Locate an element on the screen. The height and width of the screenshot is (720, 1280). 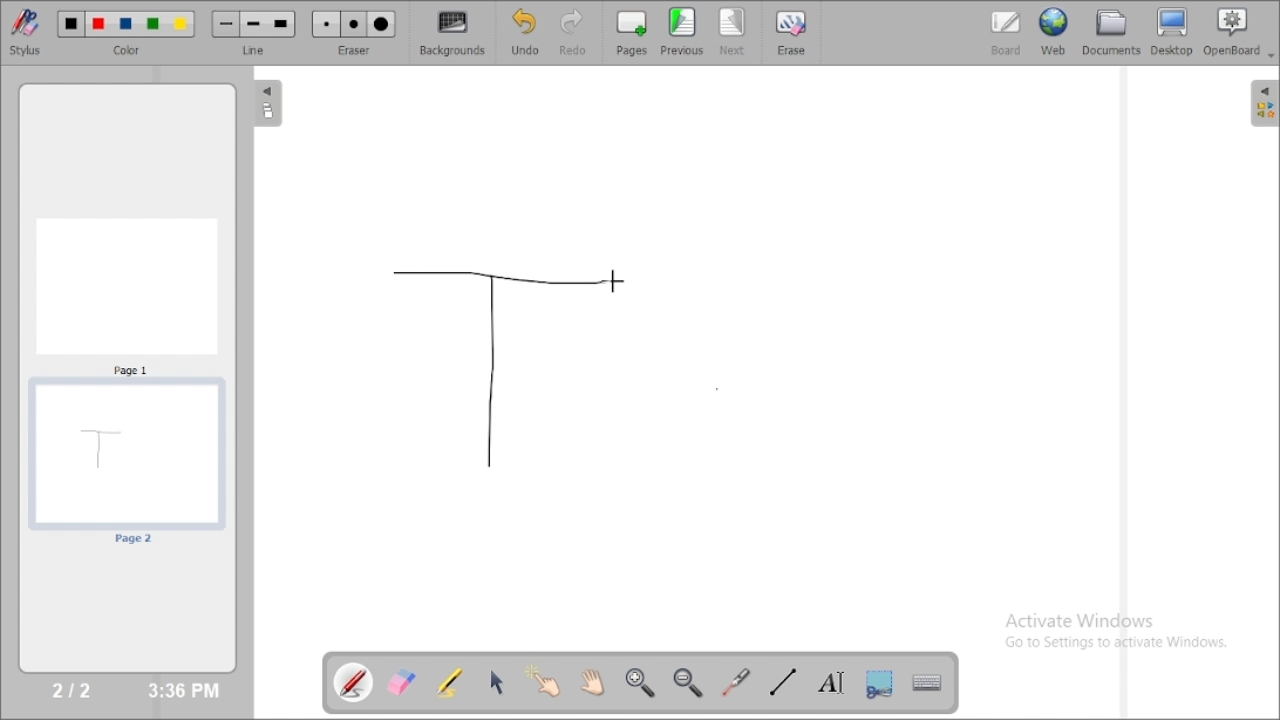
zoom out is located at coordinates (690, 683).